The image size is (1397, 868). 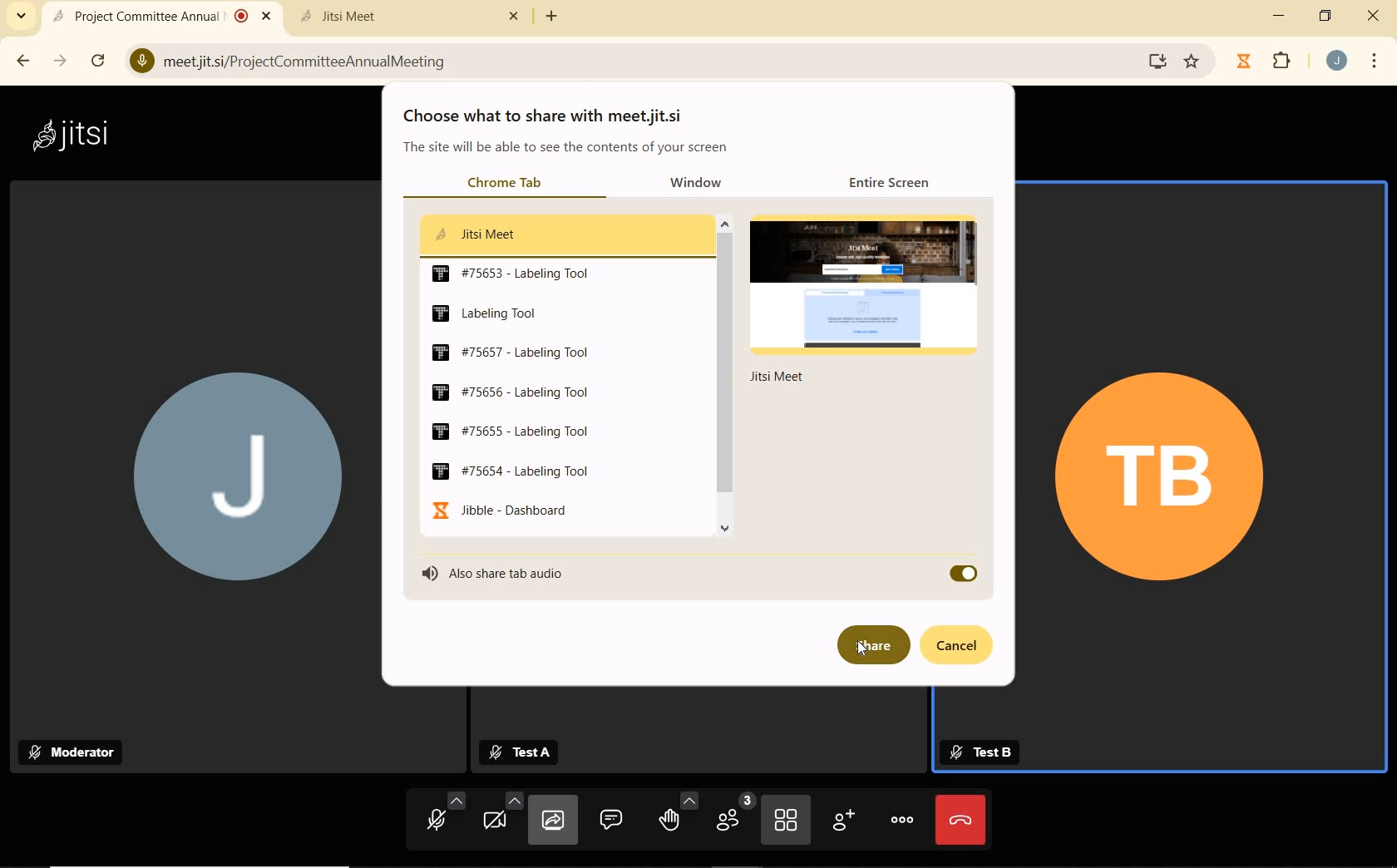 I want to click on CAMERA, so click(x=501, y=820).